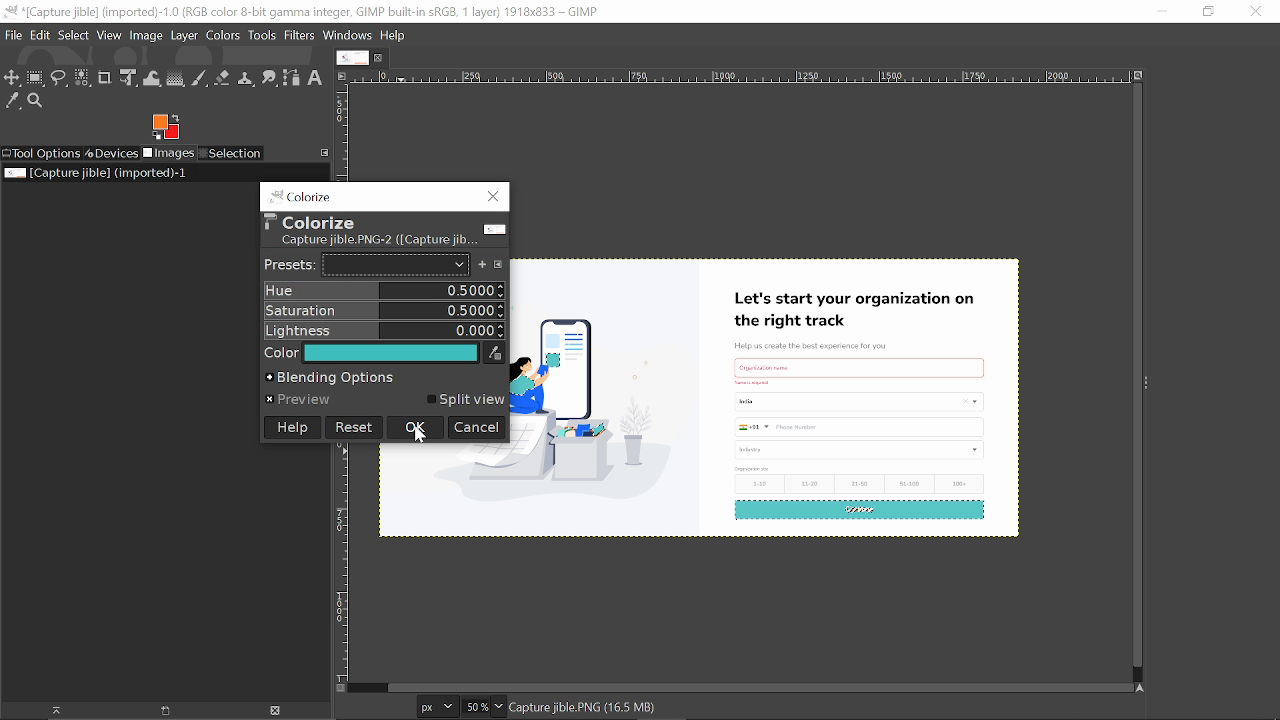 This screenshot has height=720, width=1280. What do you see at coordinates (152, 79) in the screenshot?
I see `Wrap text tool` at bounding box center [152, 79].